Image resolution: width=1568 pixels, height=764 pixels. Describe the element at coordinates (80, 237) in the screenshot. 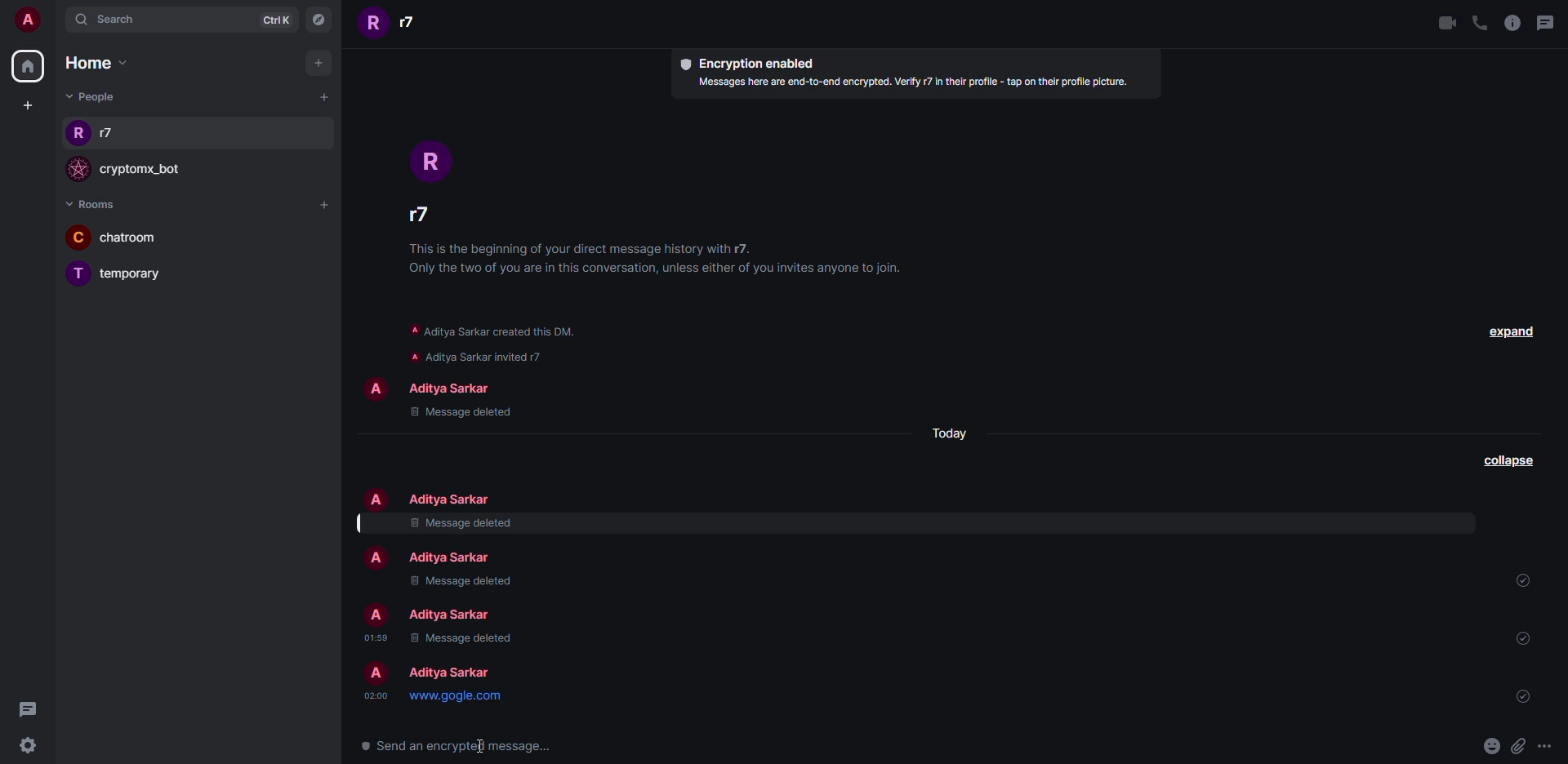

I see `profile` at that location.